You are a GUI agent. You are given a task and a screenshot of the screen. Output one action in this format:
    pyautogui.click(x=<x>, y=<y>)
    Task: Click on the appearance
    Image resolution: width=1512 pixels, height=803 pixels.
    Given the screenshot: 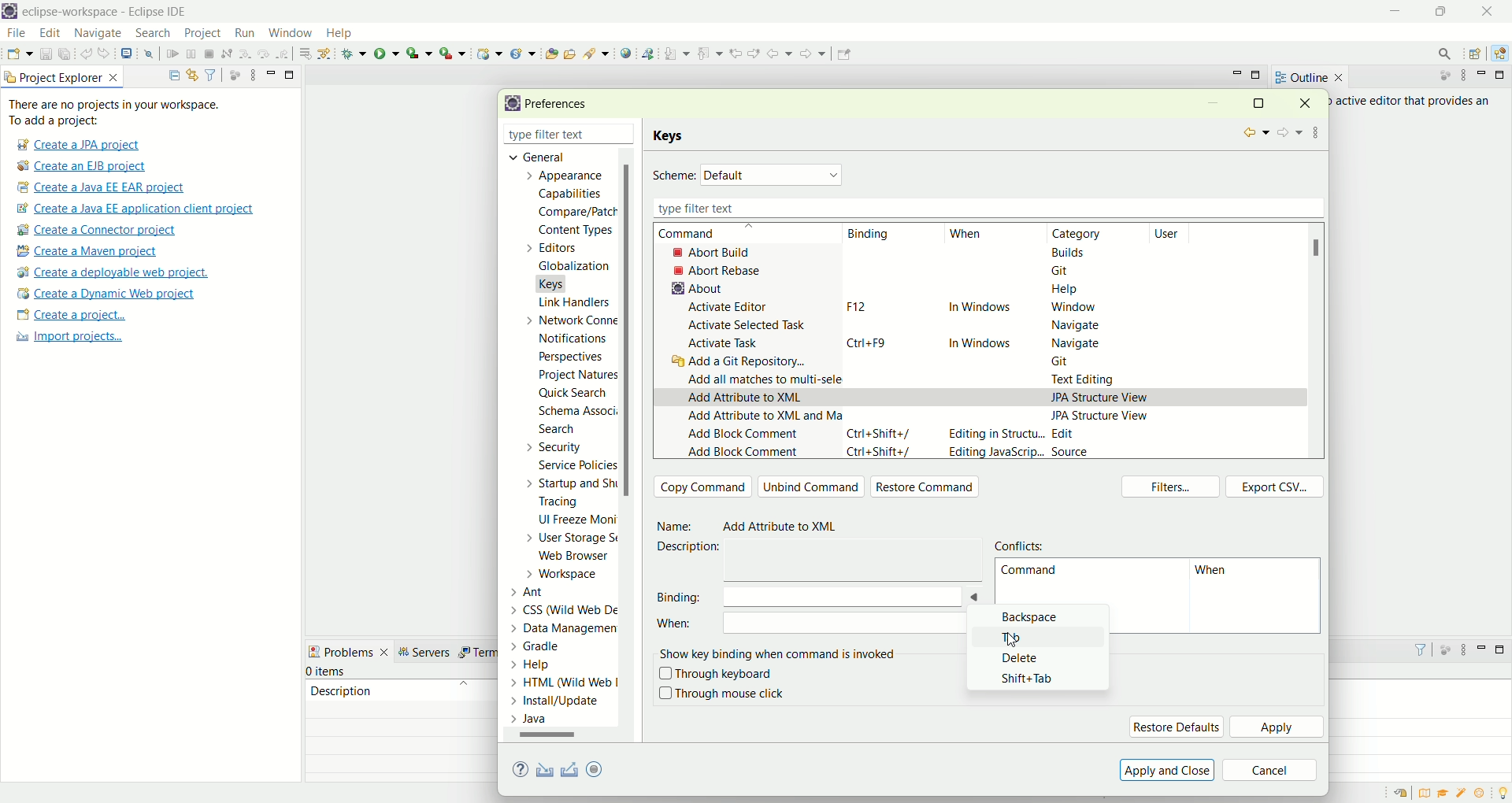 What is the action you would take?
    pyautogui.click(x=569, y=177)
    